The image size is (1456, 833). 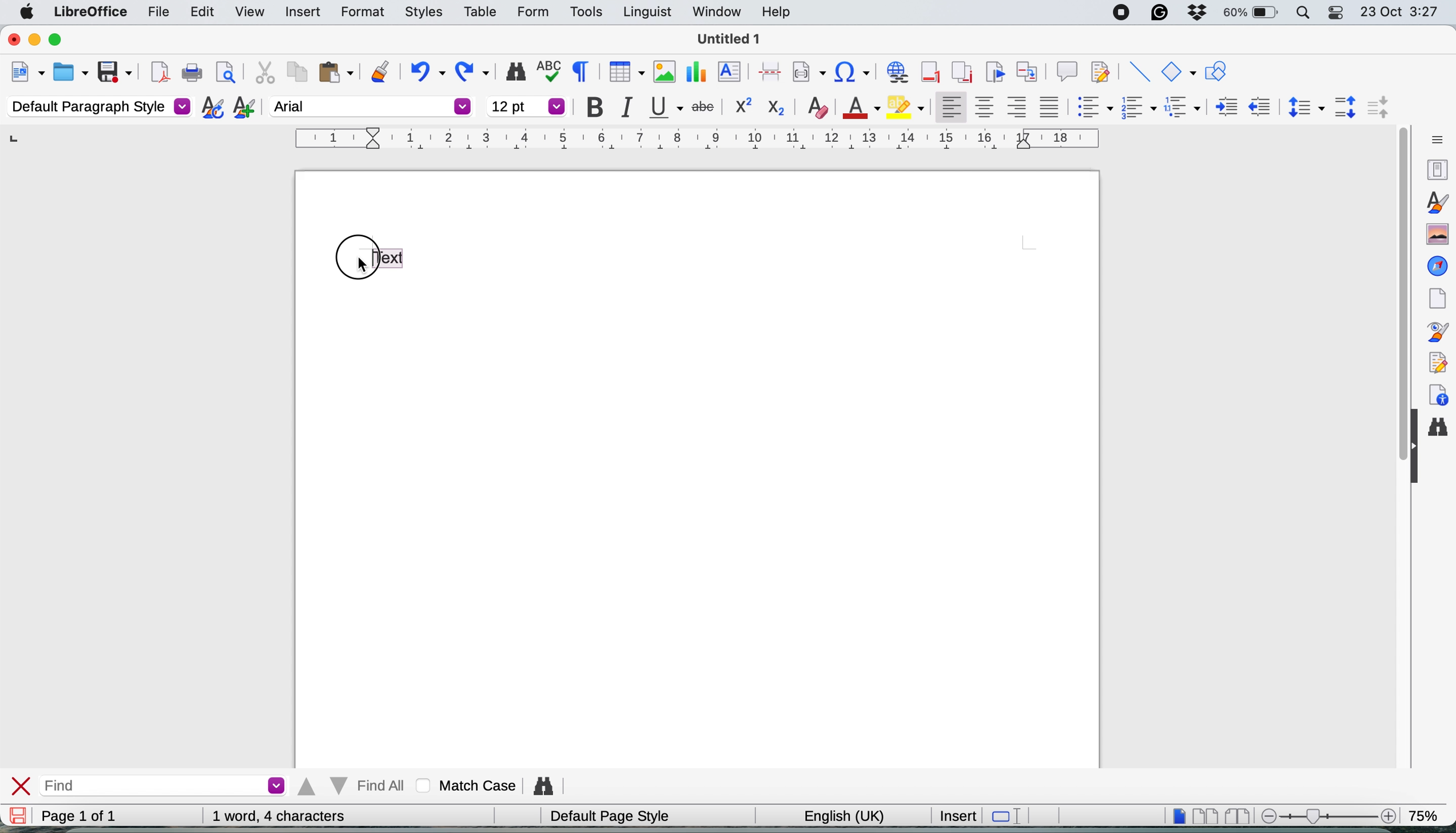 What do you see at coordinates (1173, 815) in the screenshot?
I see `single page view` at bounding box center [1173, 815].